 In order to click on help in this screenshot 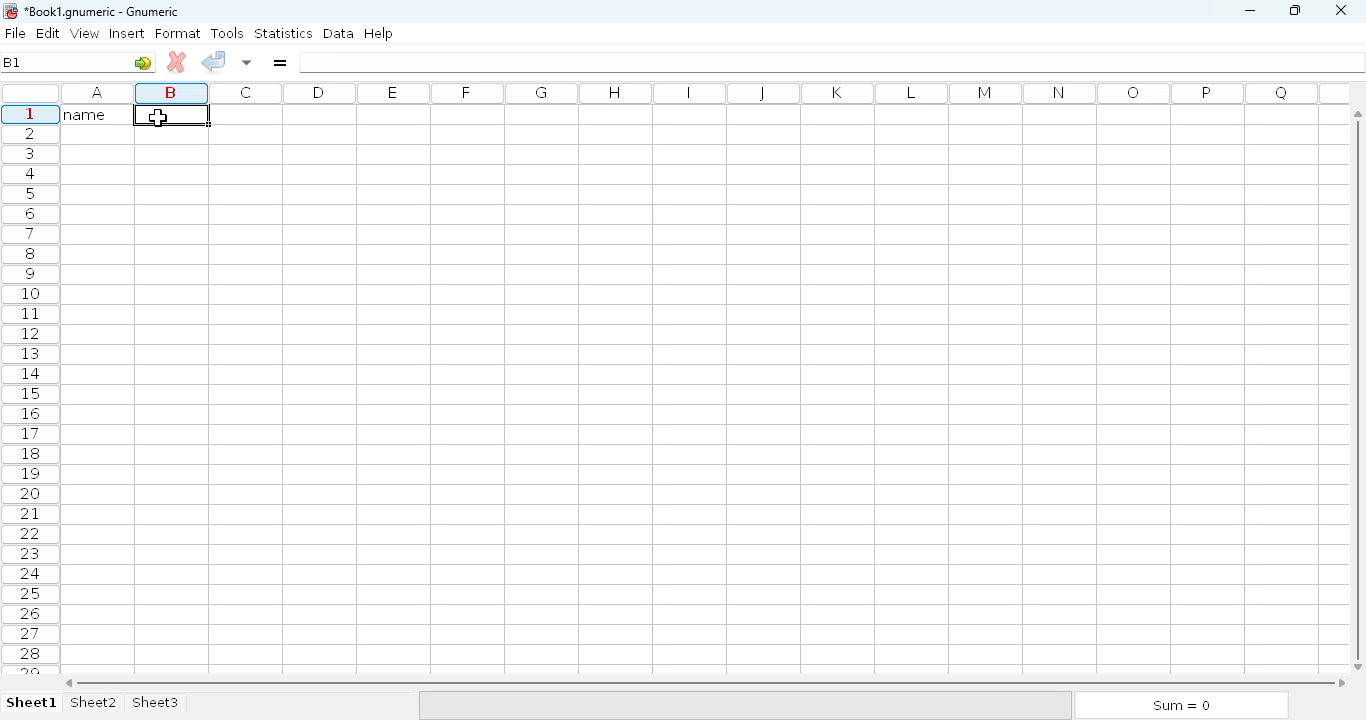, I will do `click(378, 34)`.